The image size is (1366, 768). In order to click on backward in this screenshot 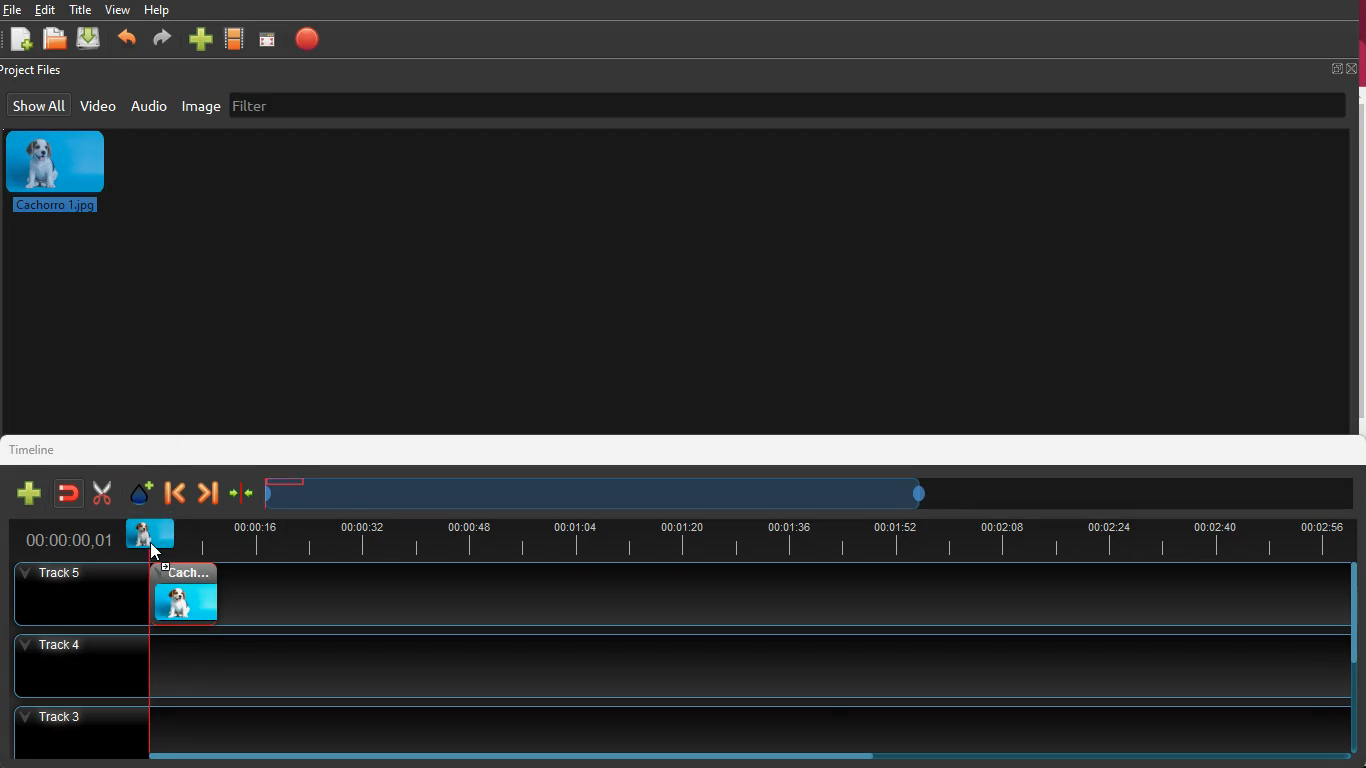, I will do `click(174, 493)`.